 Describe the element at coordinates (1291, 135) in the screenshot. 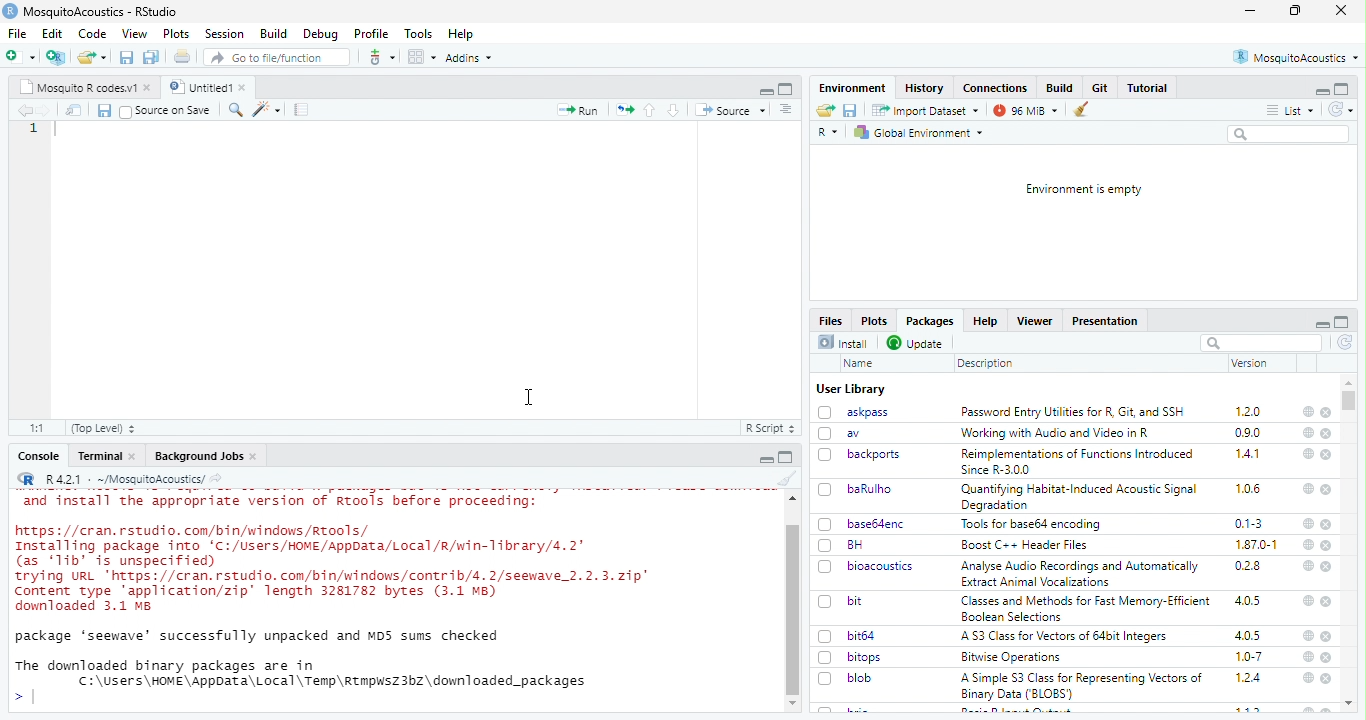

I see `searchbox` at that location.